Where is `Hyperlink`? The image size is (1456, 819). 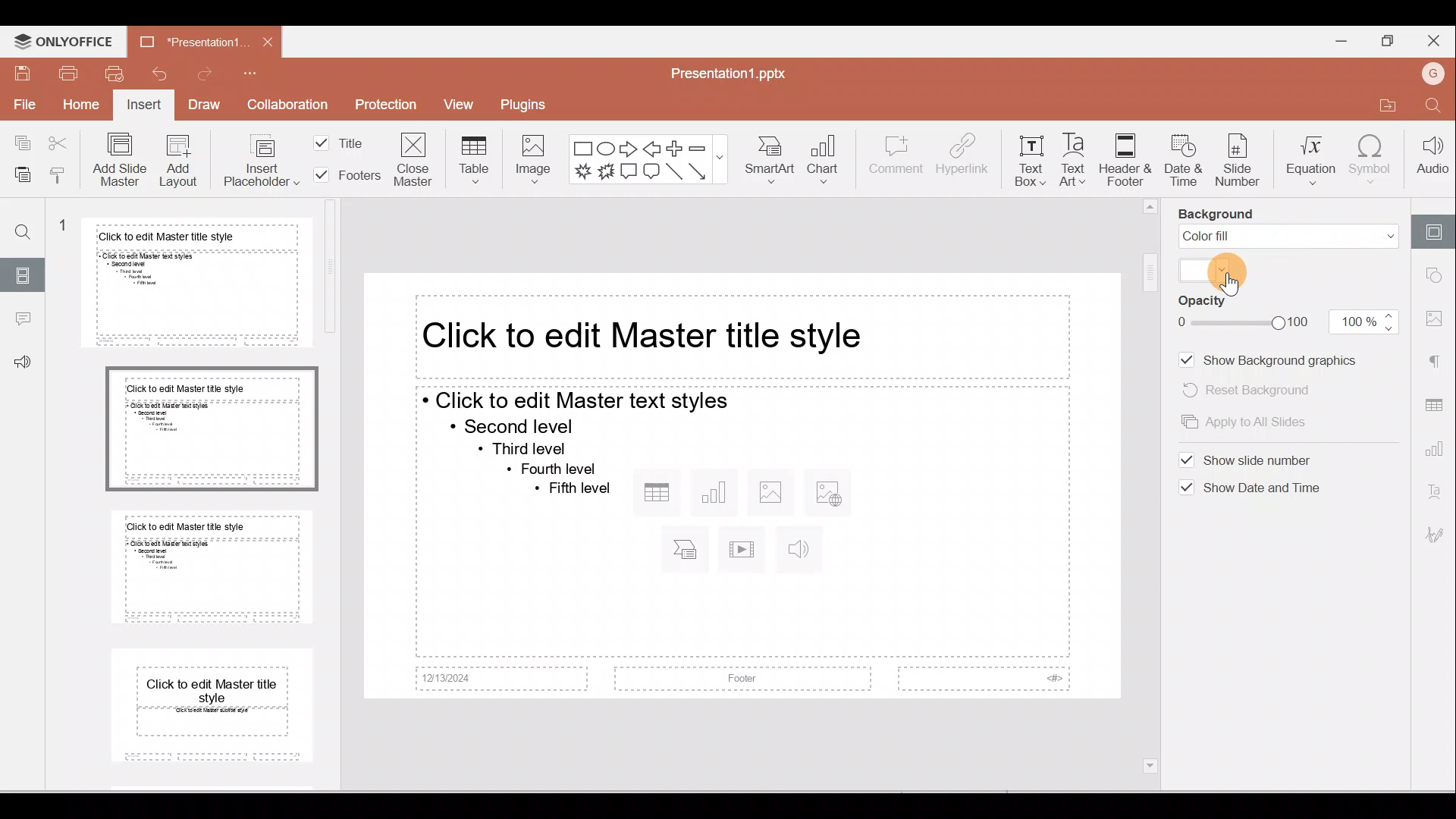
Hyperlink is located at coordinates (963, 158).